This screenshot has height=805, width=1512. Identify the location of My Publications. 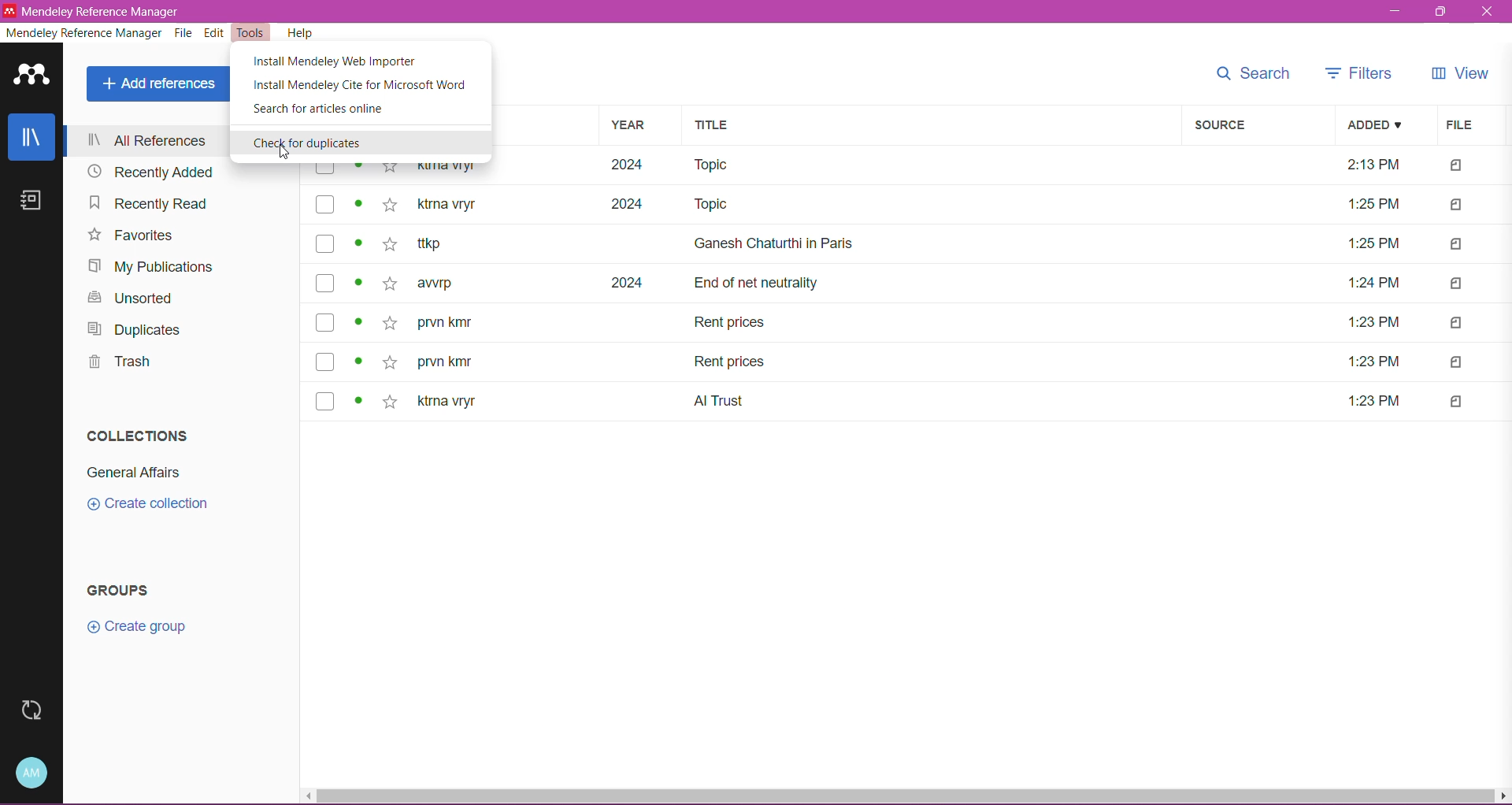
(152, 266).